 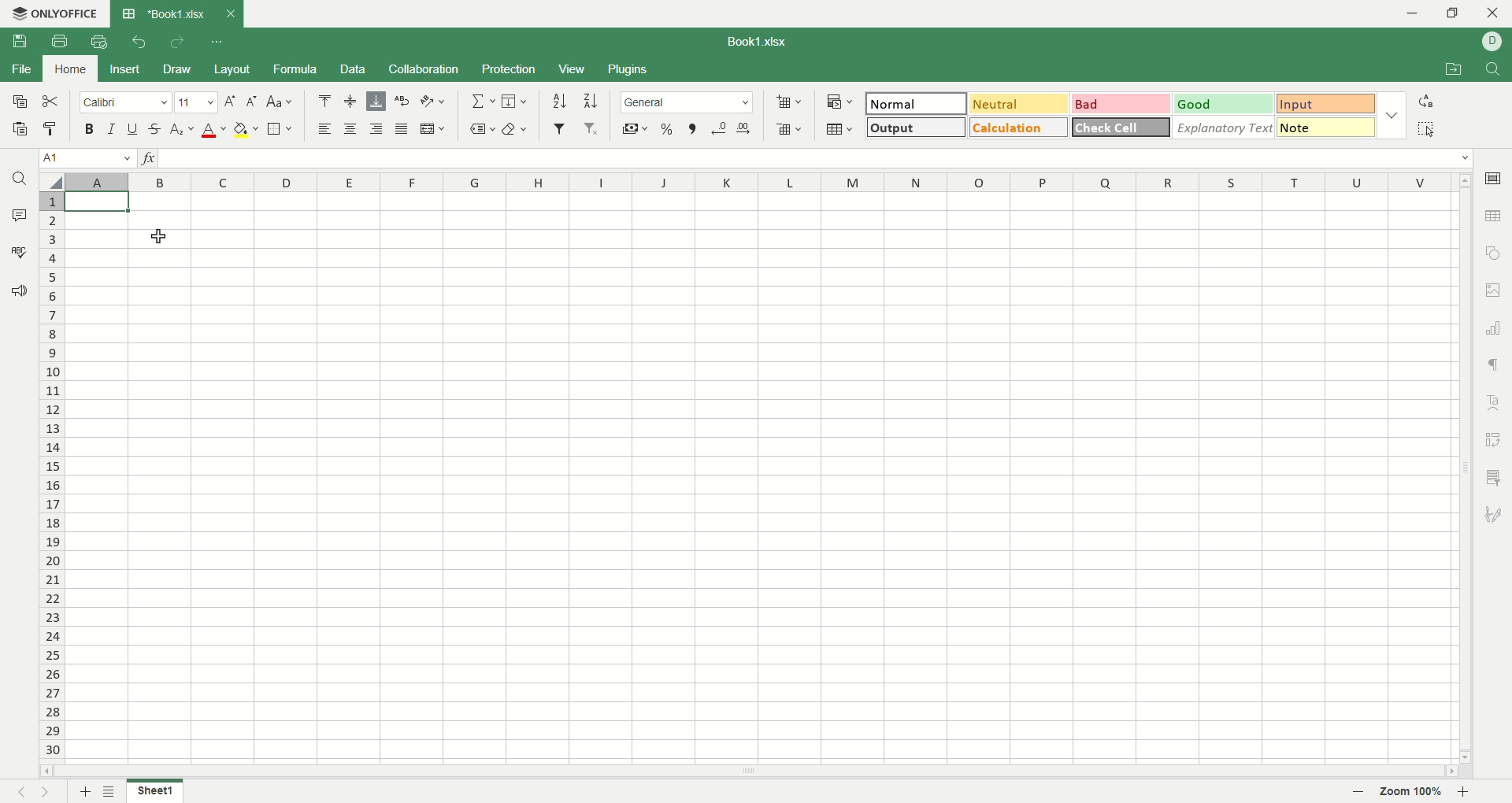 I want to click on neutral, so click(x=1019, y=104).